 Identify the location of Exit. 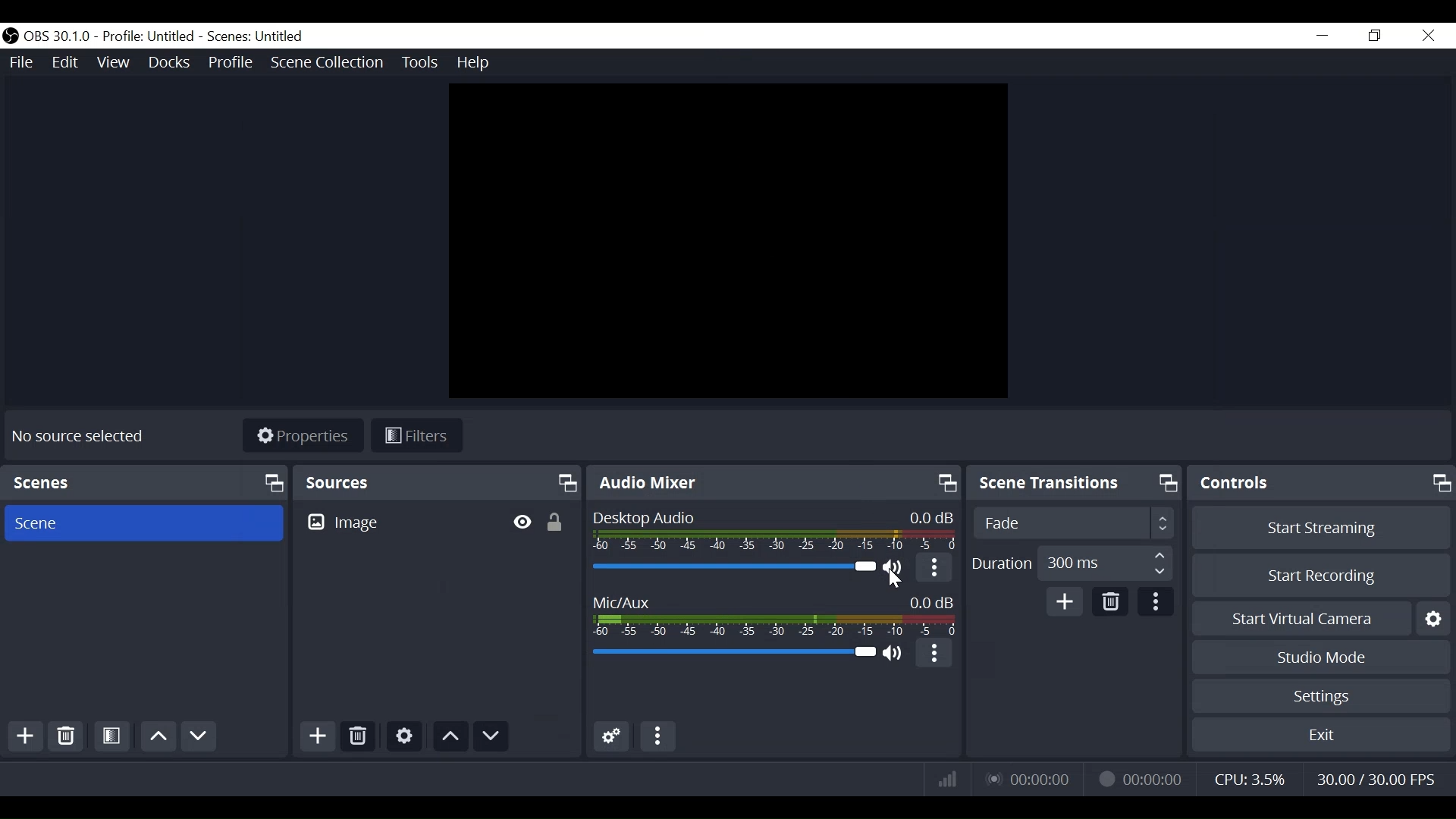
(1318, 735).